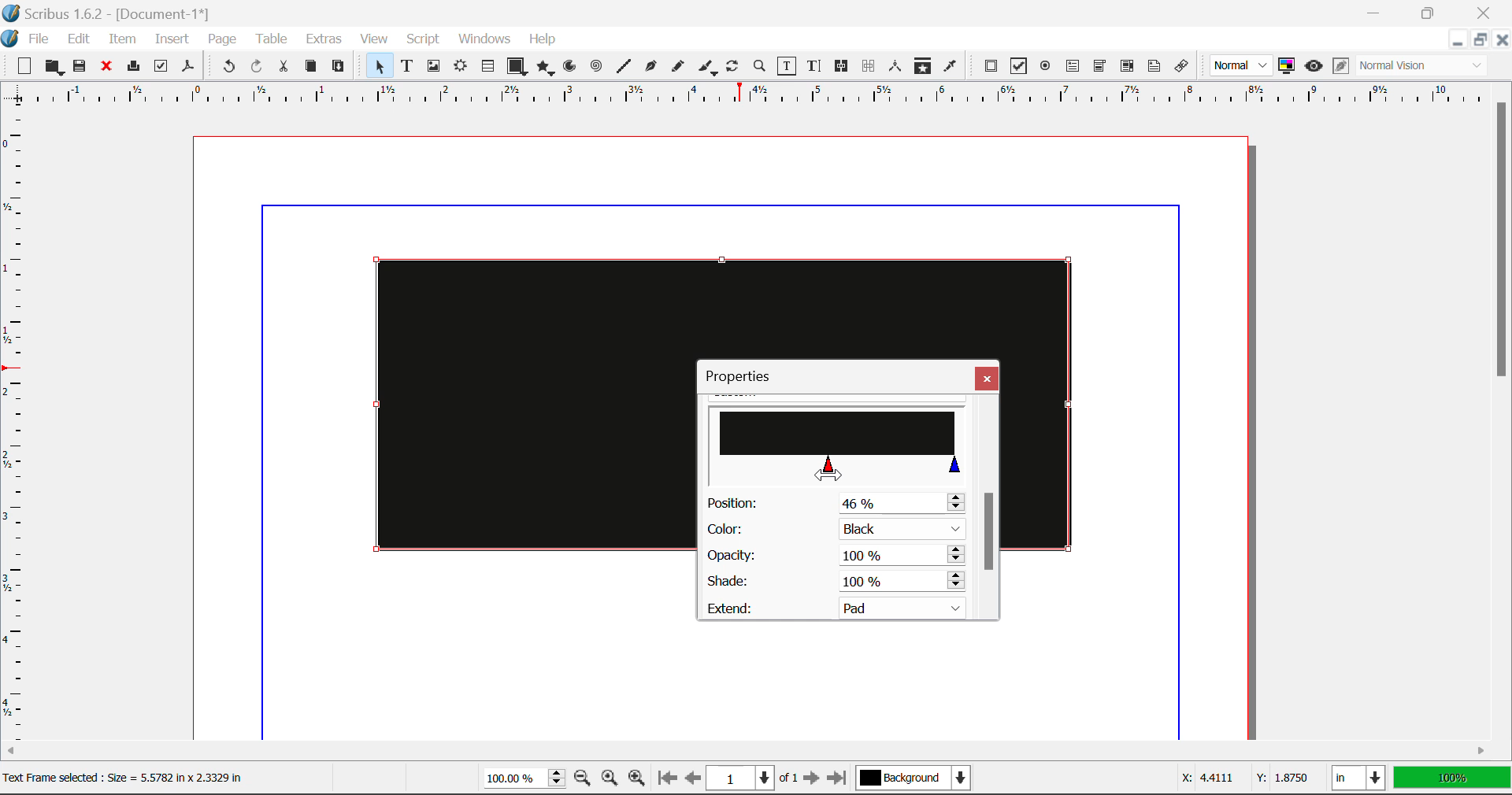 This screenshot has height=795, width=1512. Describe the element at coordinates (1456, 40) in the screenshot. I see `Restore Down` at that location.